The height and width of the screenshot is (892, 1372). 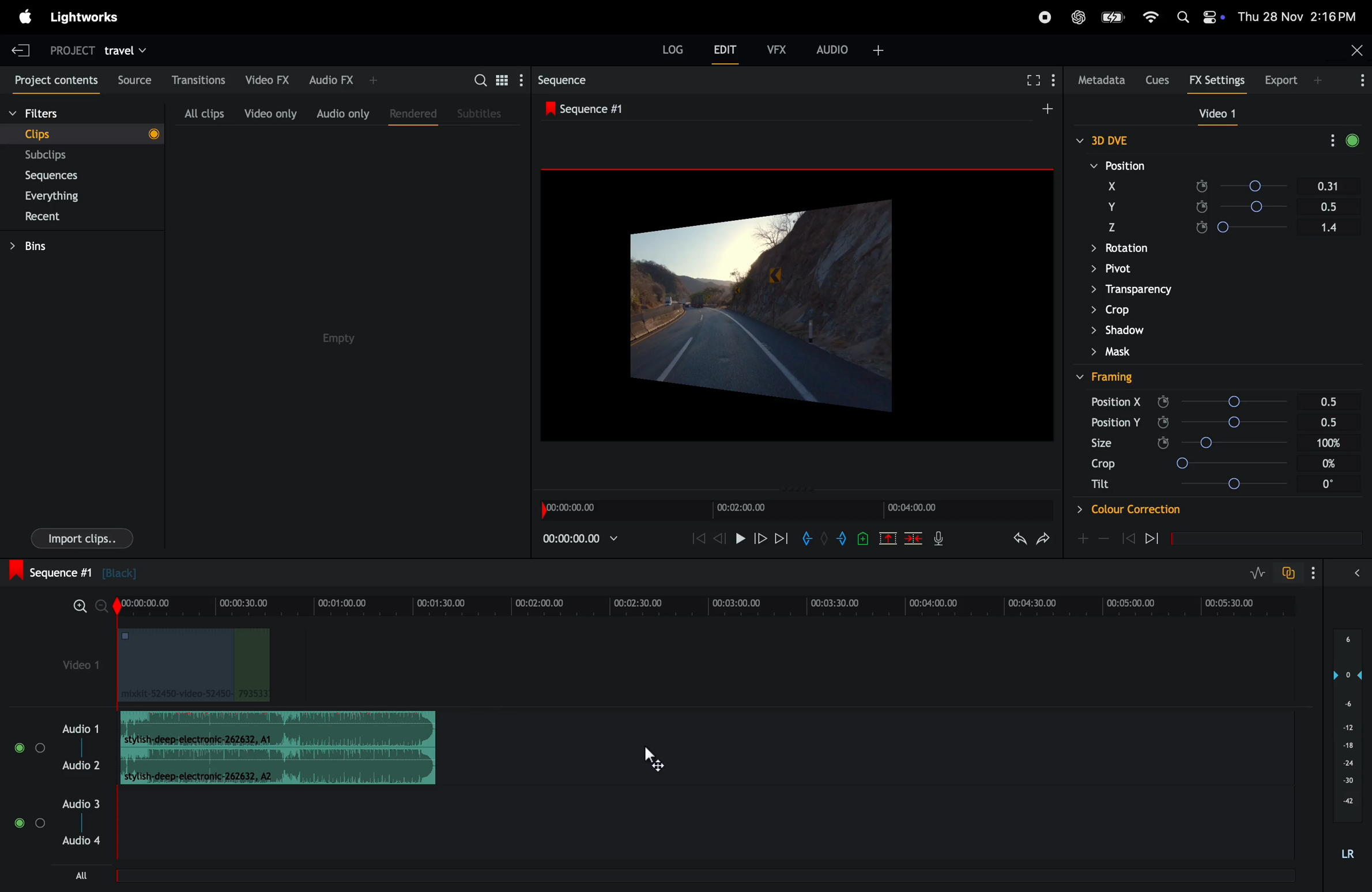 I want to click on , so click(x=1103, y=463).